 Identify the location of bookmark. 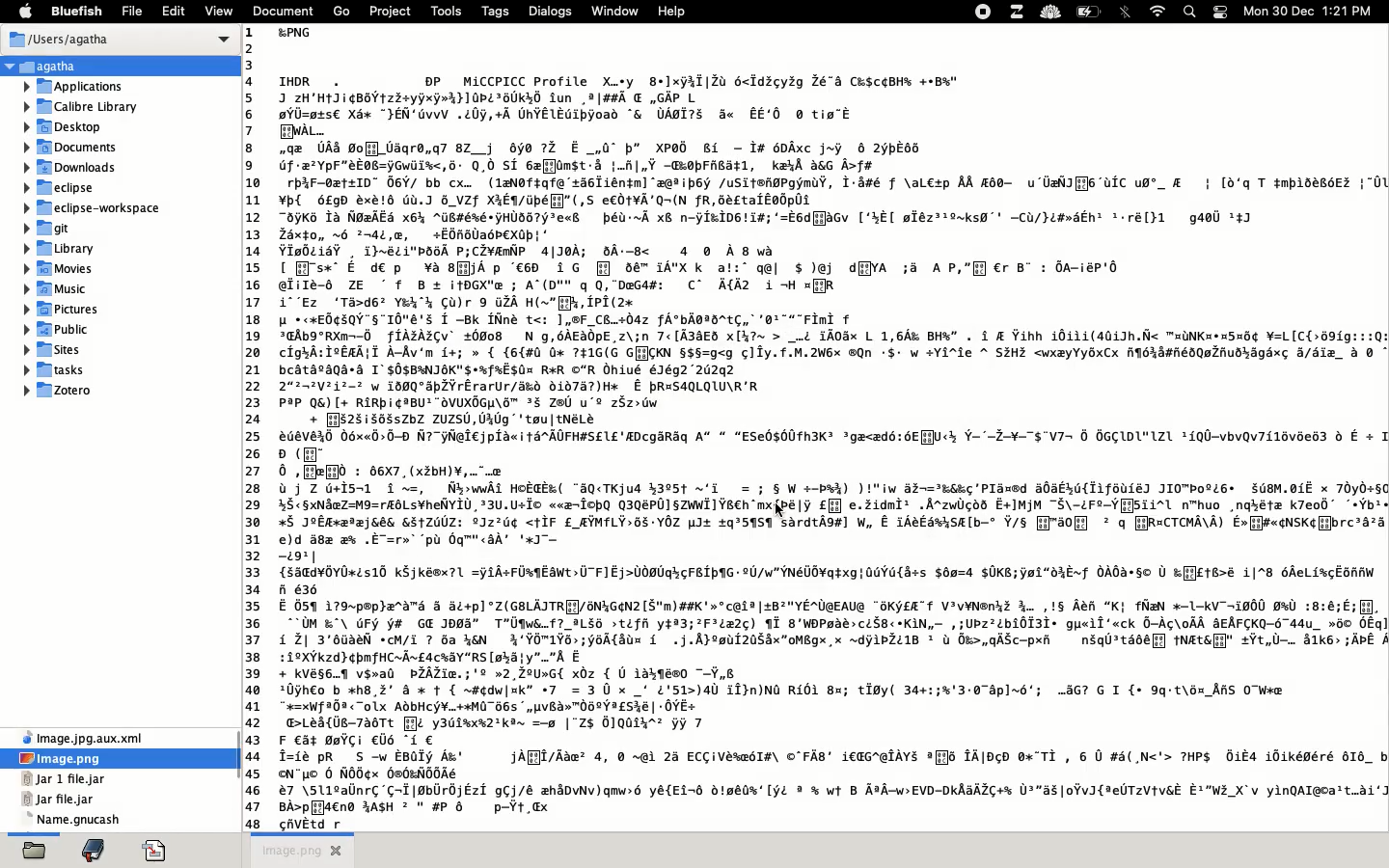
(93, 848).